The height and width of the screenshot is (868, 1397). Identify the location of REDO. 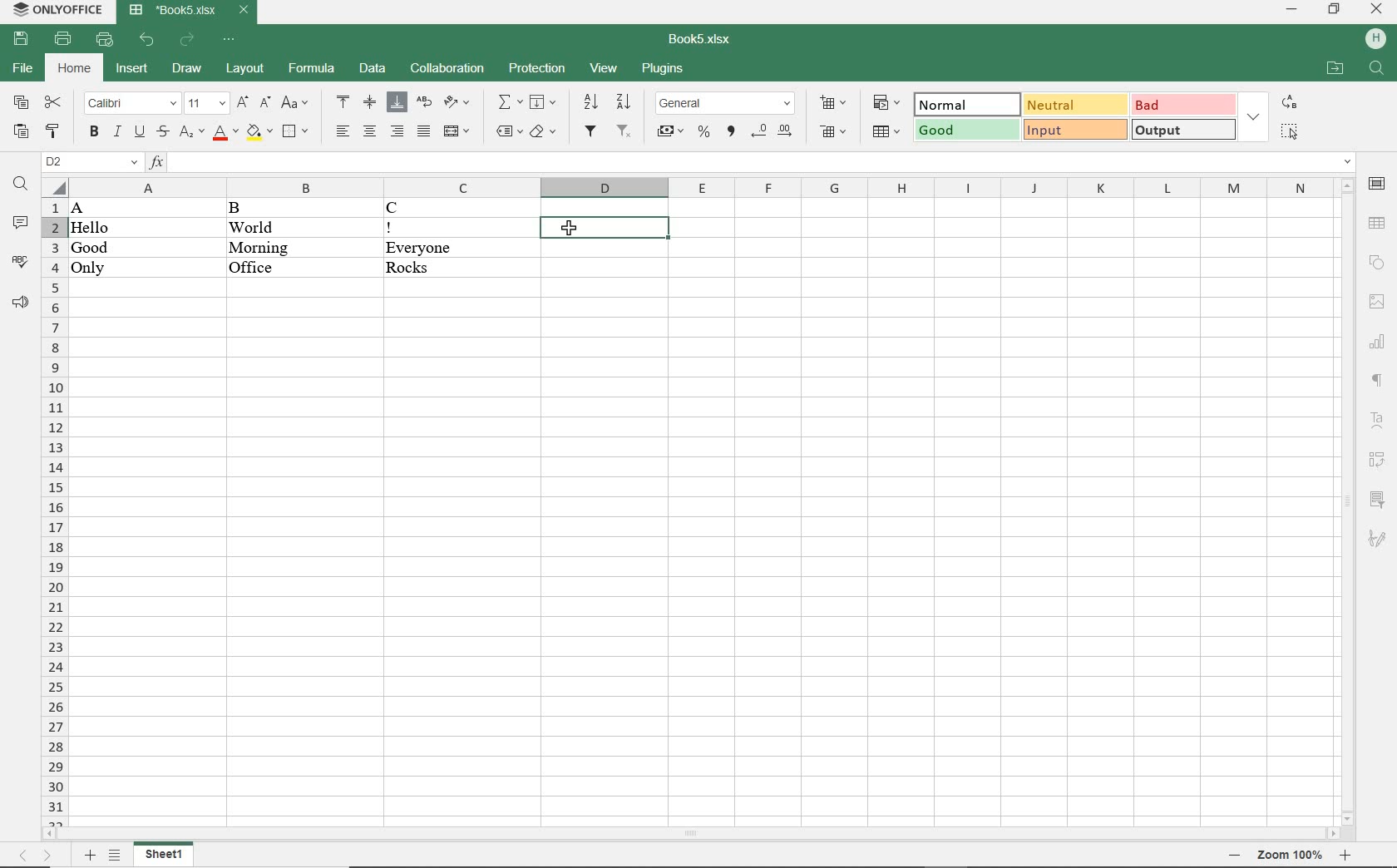
(187, 40).